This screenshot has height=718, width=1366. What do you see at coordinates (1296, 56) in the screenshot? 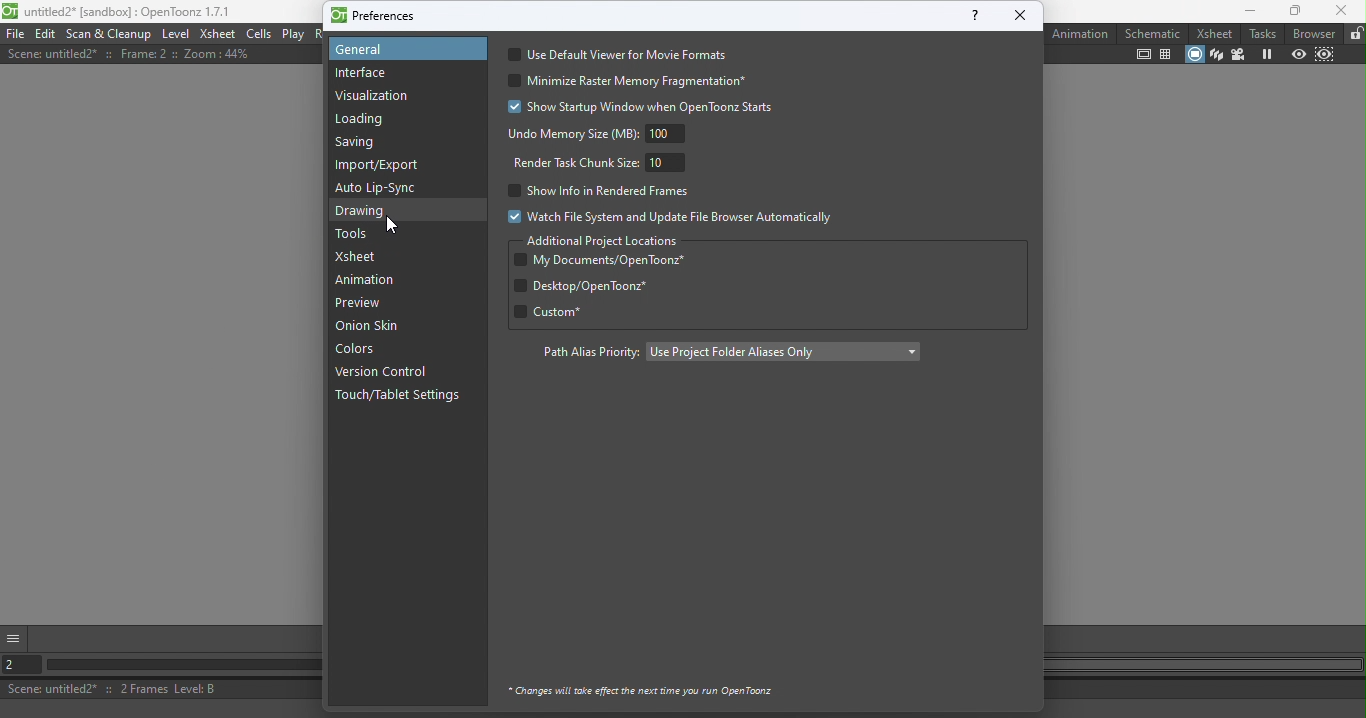
I see `Preview` at bounding box center [1296, 56].